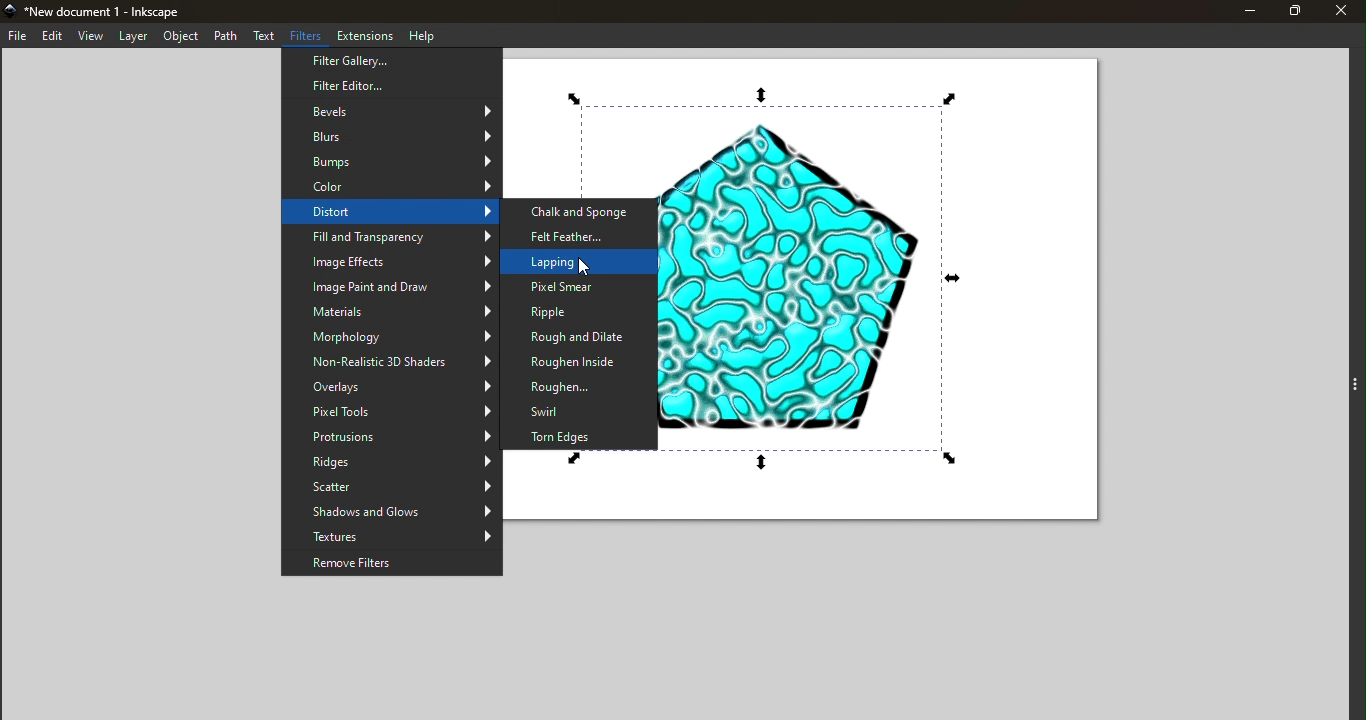 The image size is (1366, 720). Describe the element at coordinates (91, 37) in the screenshot. I see `View` at that location.